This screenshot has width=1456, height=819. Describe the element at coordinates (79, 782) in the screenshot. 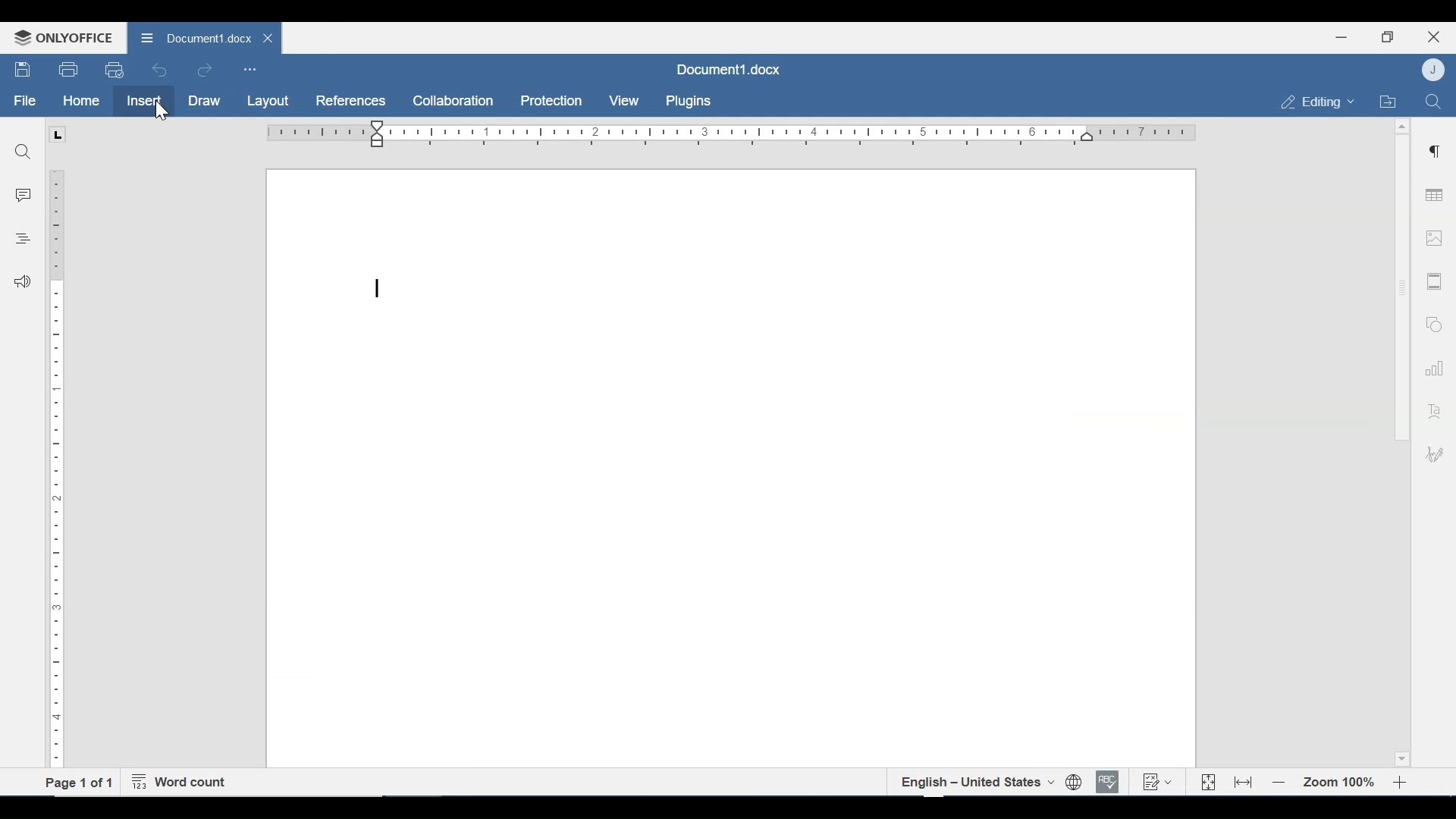

I see `Page 1 of 1` at that location.